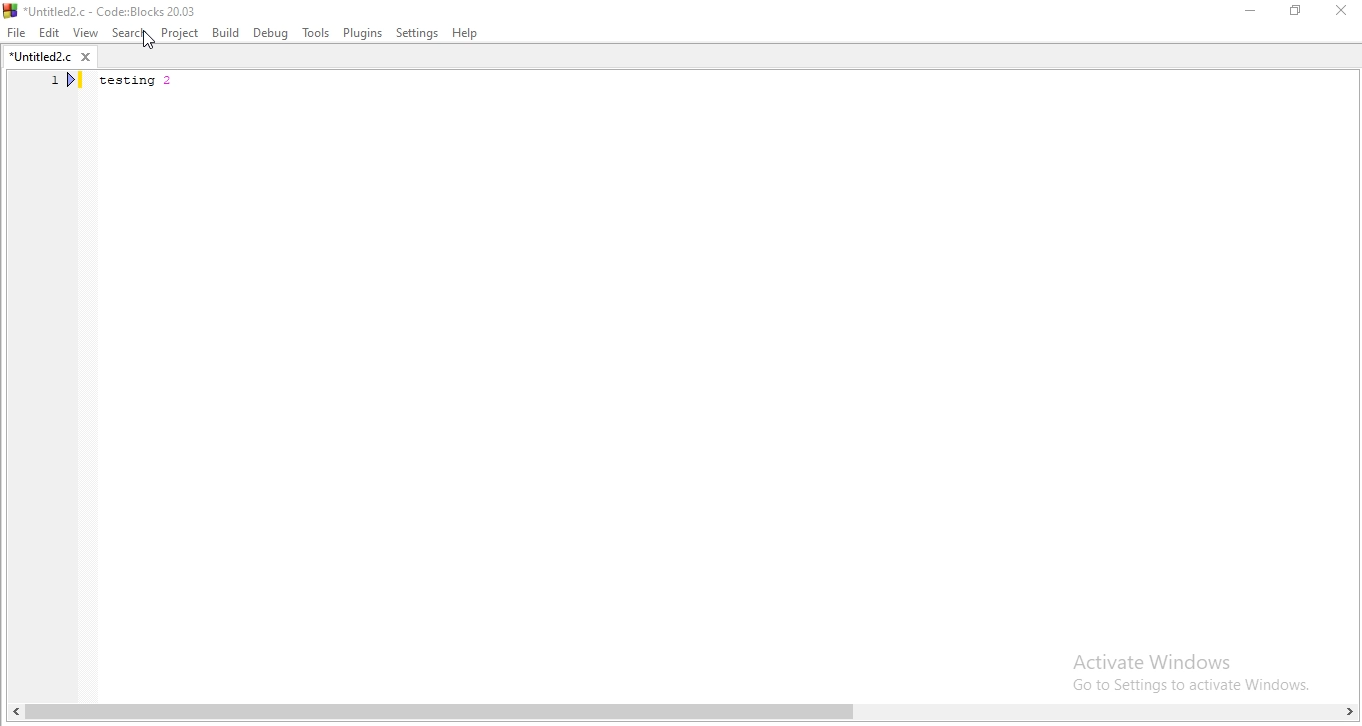 The width and height of the screenshot is (1362, 726). Describe the element at coordinates (85, 32) in the screenshot. I see `View ` at that location.